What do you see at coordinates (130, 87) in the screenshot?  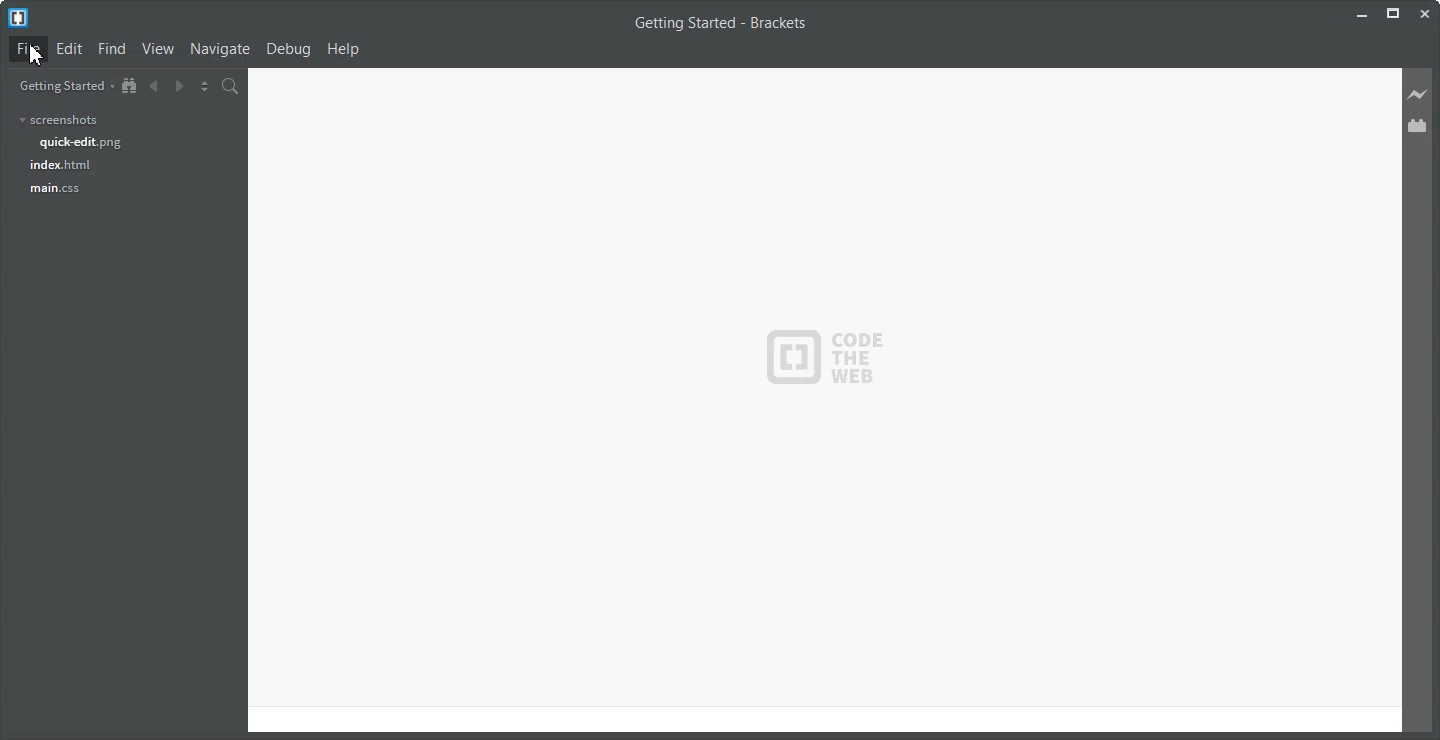 I see `Show in the file Tree` at bounding box center [130, 87].